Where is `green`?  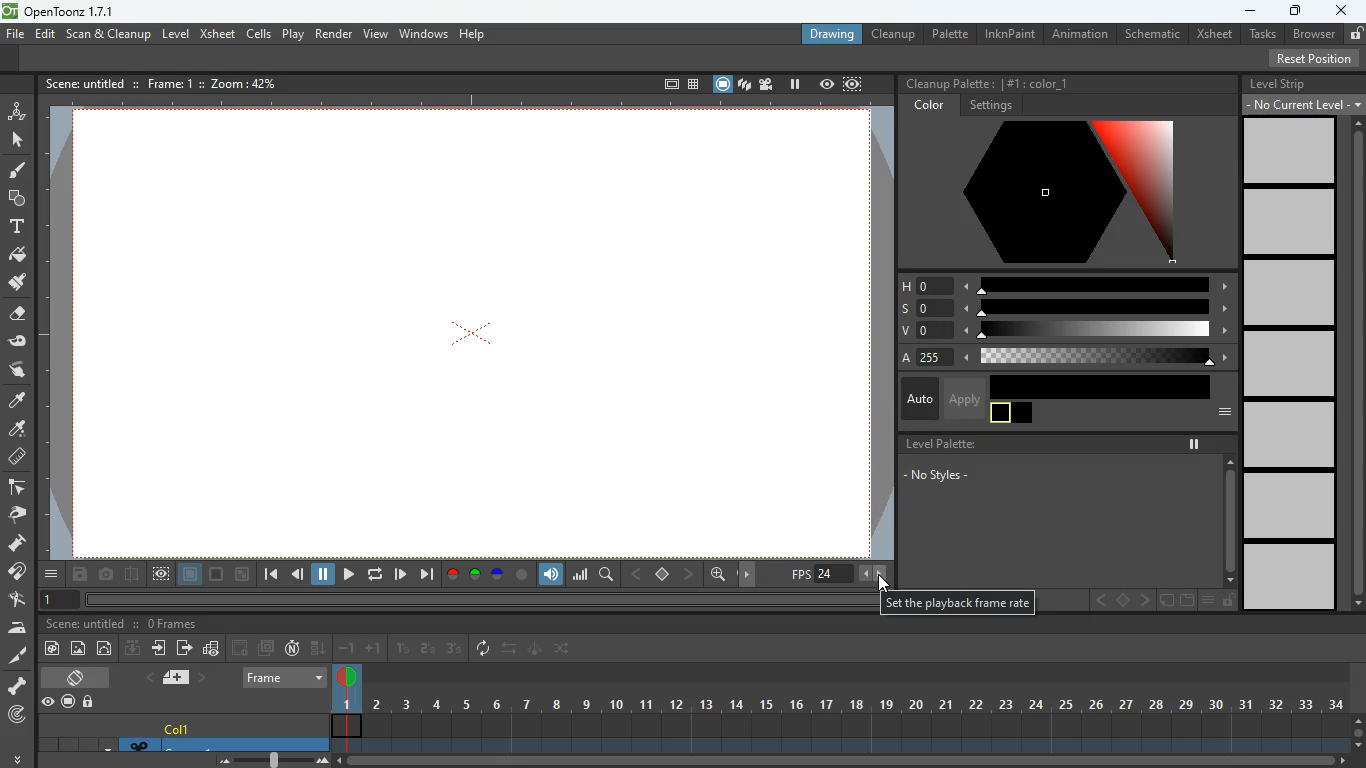
green is located at coordinates (477, 576).